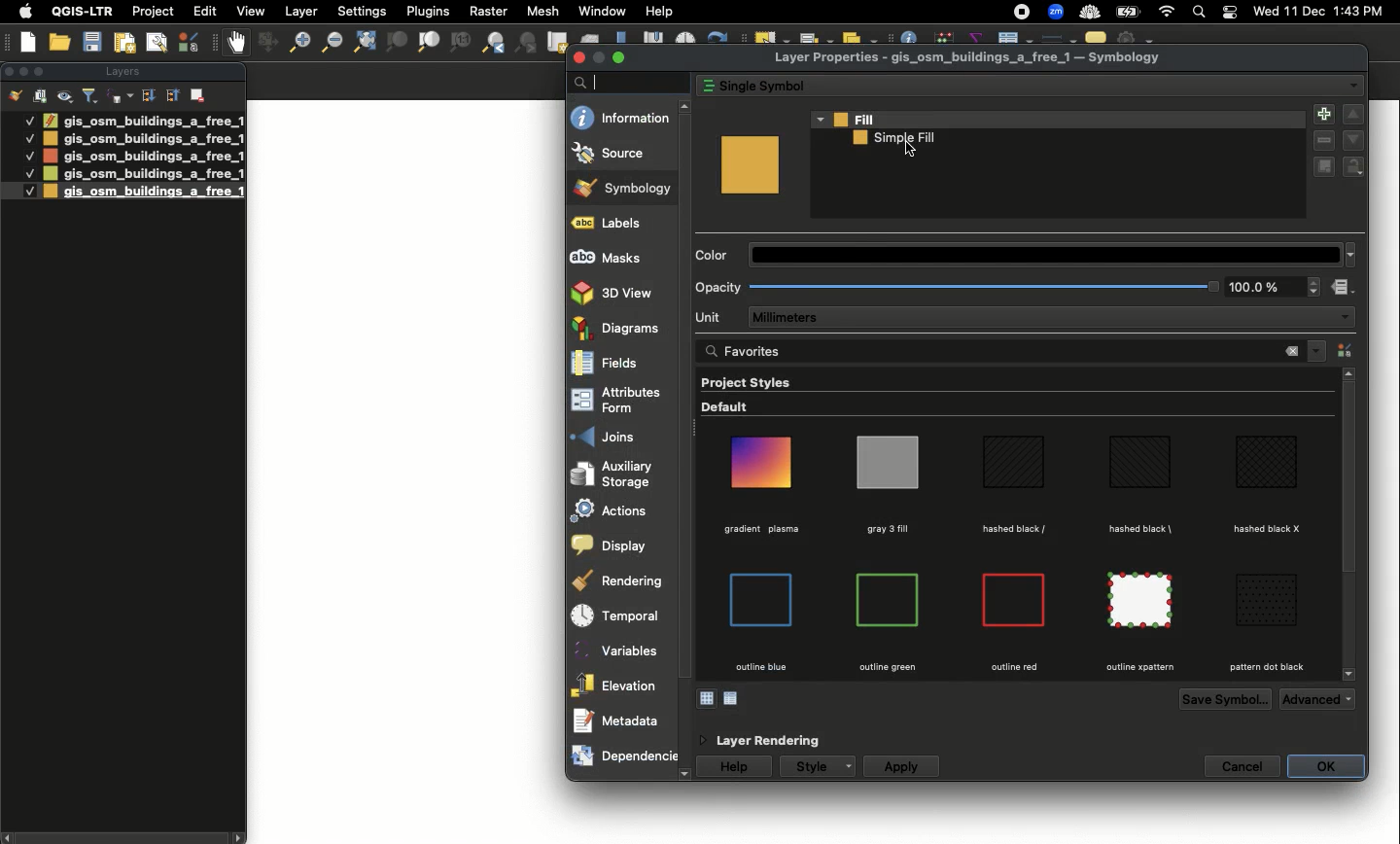 The height and width of the screenshot is (844, 1400). I want to click on 1:43 PM, so click(1361, 11).